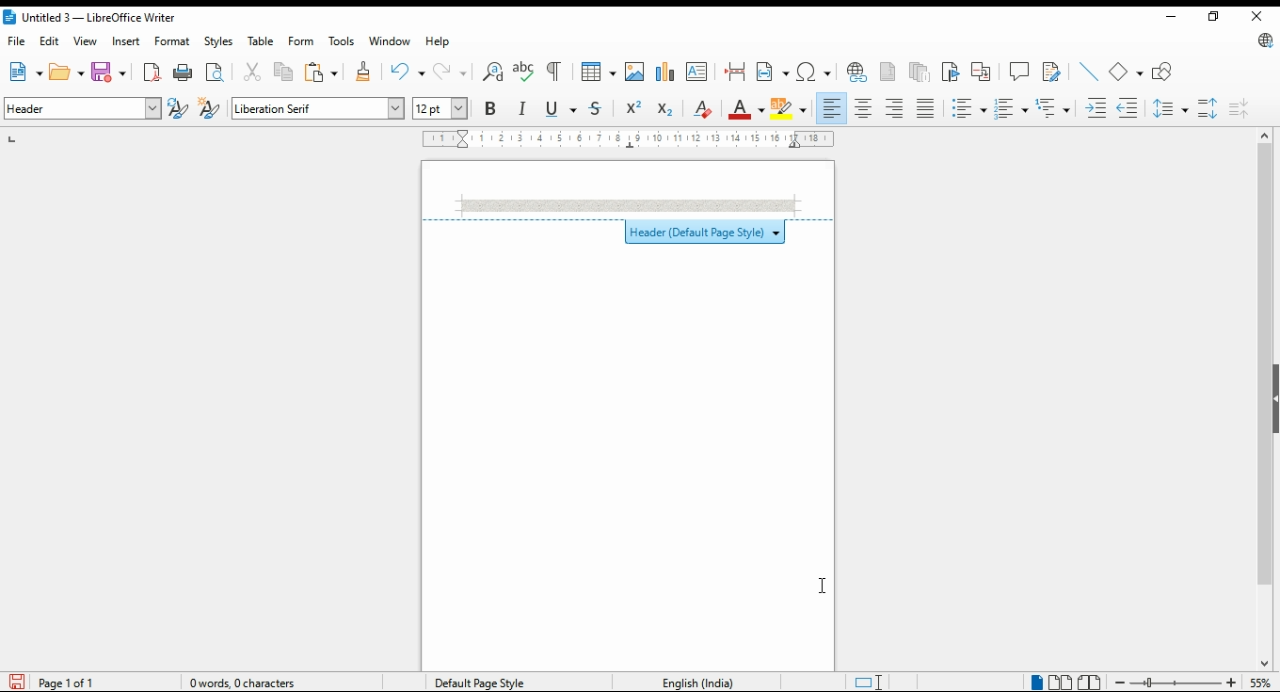  I want to click on decrease paragraph spacing, so click(1239, 108).